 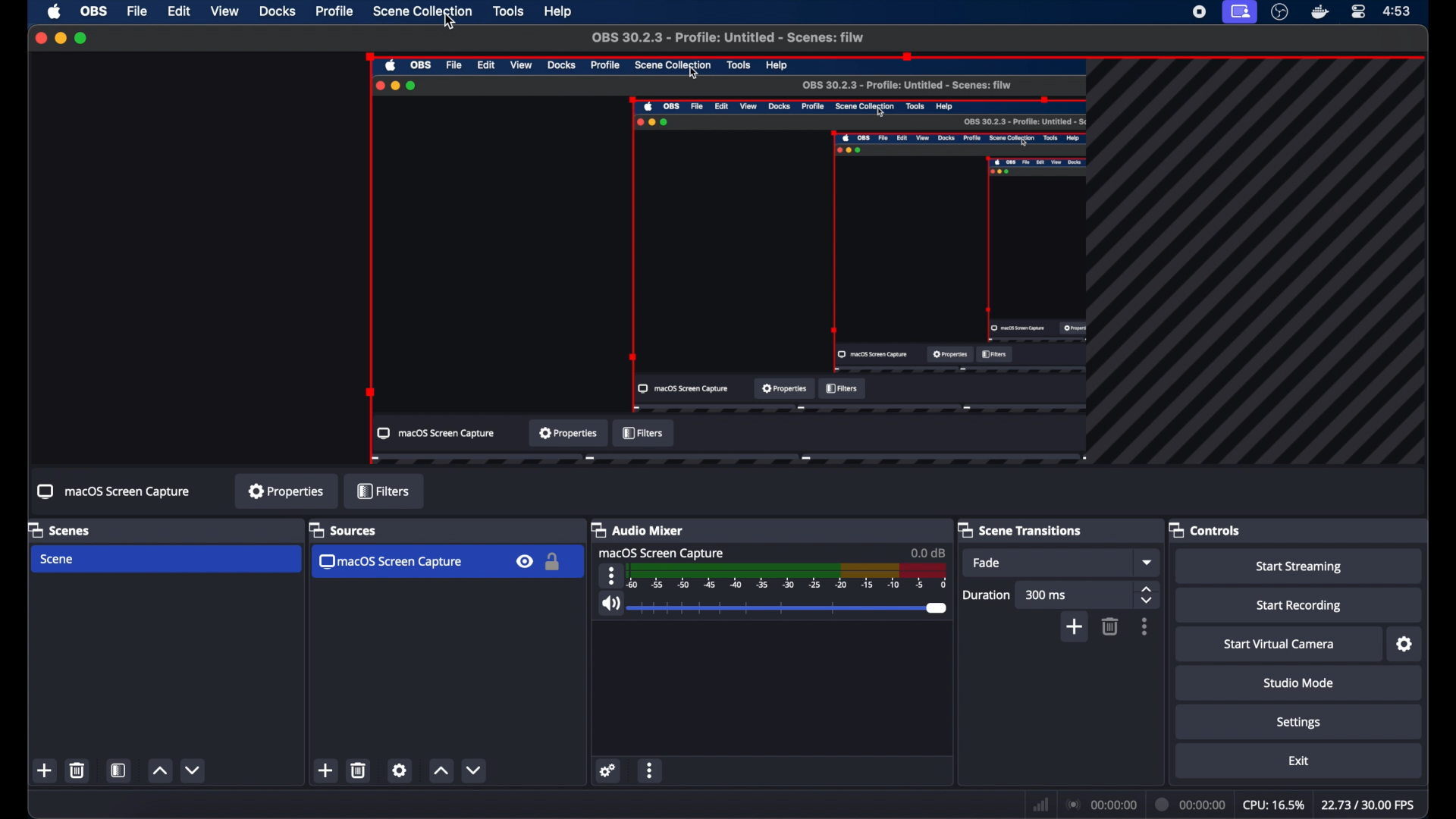 What do you see at coordinates (179, 12) in the screenshot?
I see `edit` at bounding box center [179, 12].